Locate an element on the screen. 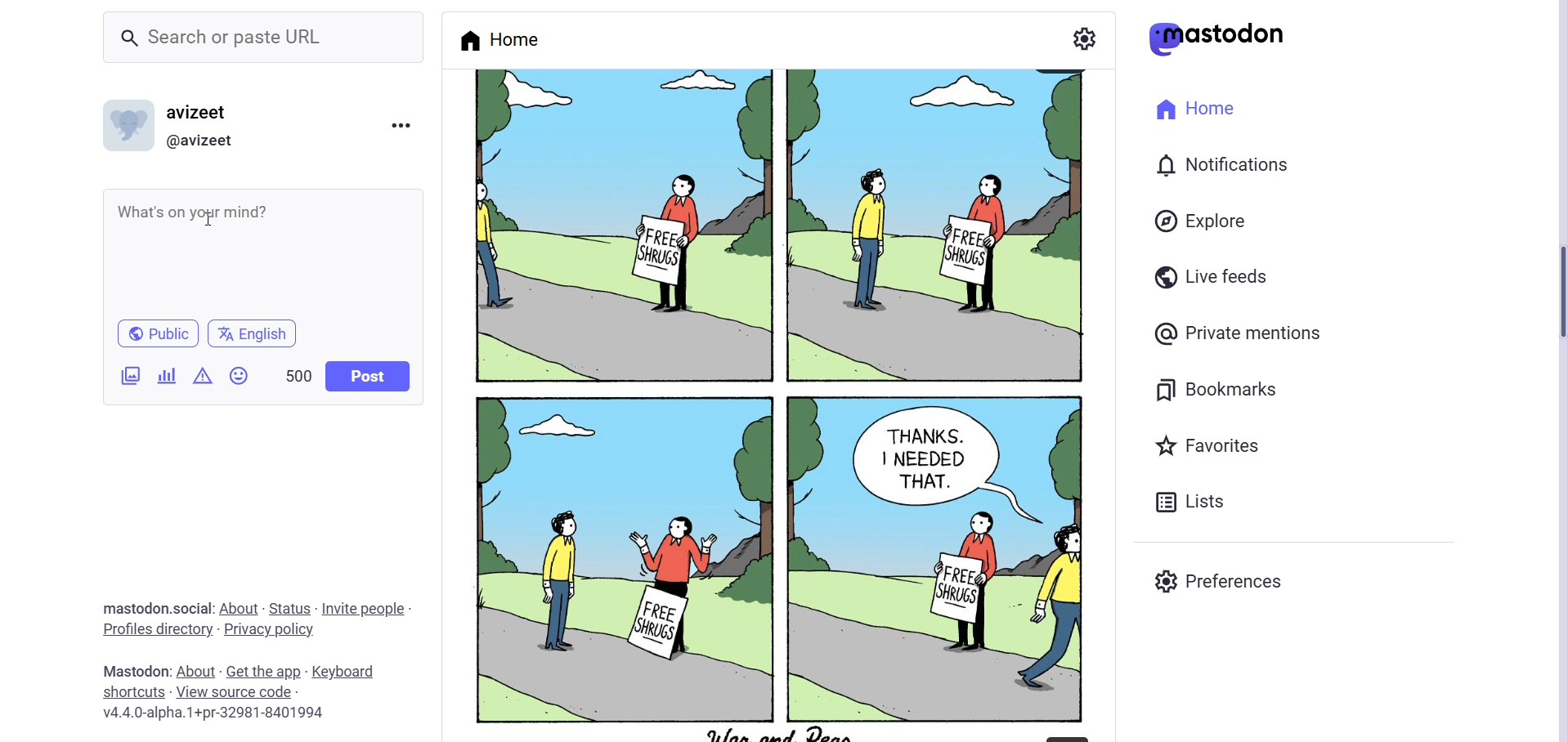  Home is located at coordinates (1198, 111).